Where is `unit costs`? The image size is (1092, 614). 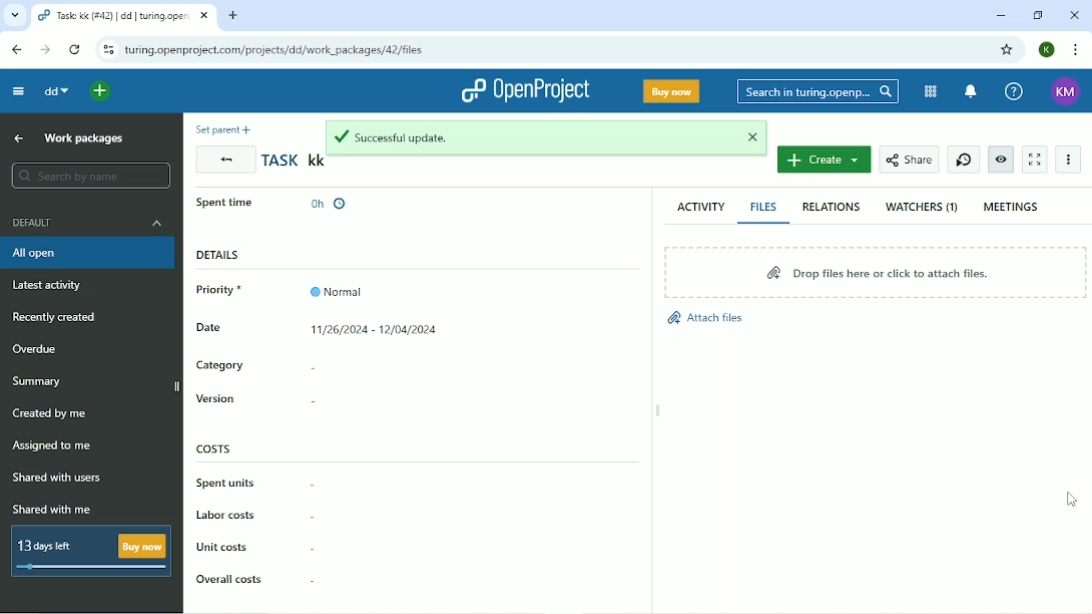
unit costs is located at coordinates (255, 547).